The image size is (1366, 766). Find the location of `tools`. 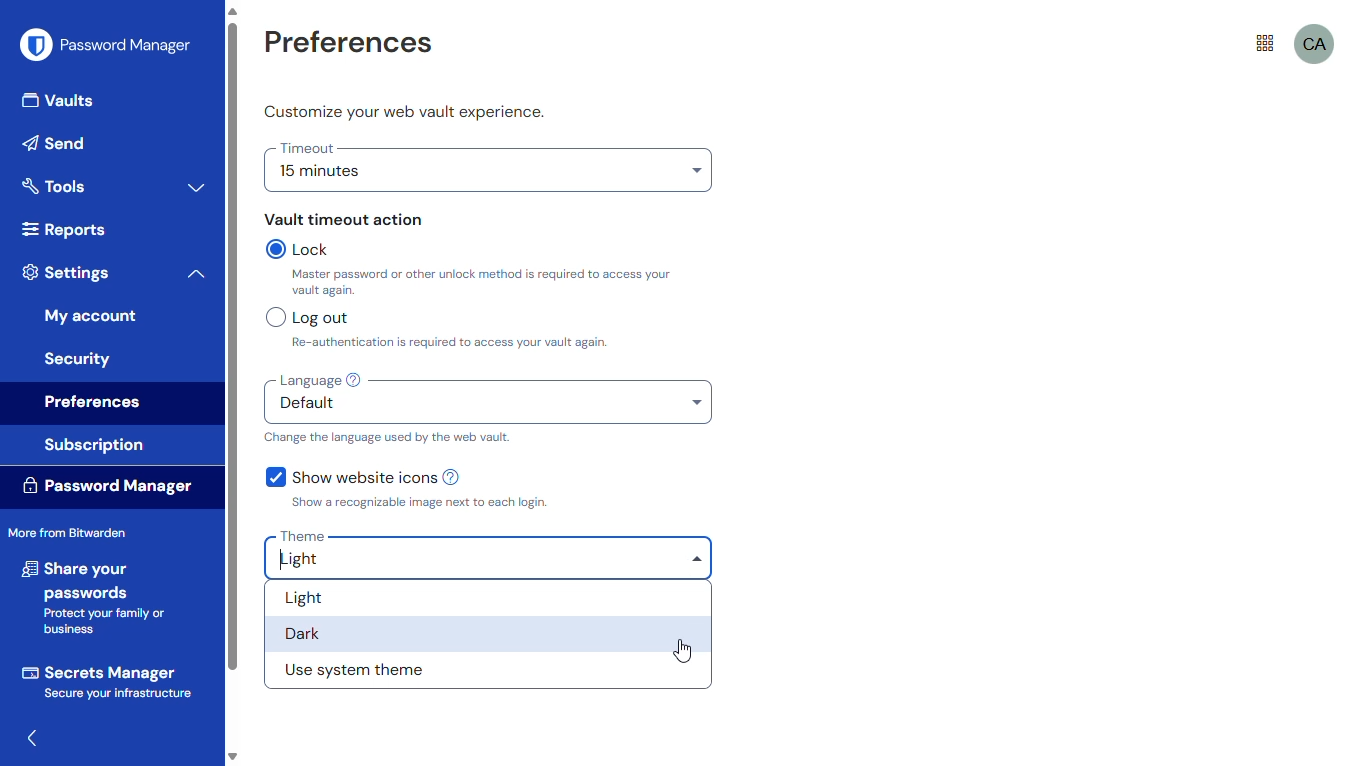

tools is located at coordinates (54, 185).